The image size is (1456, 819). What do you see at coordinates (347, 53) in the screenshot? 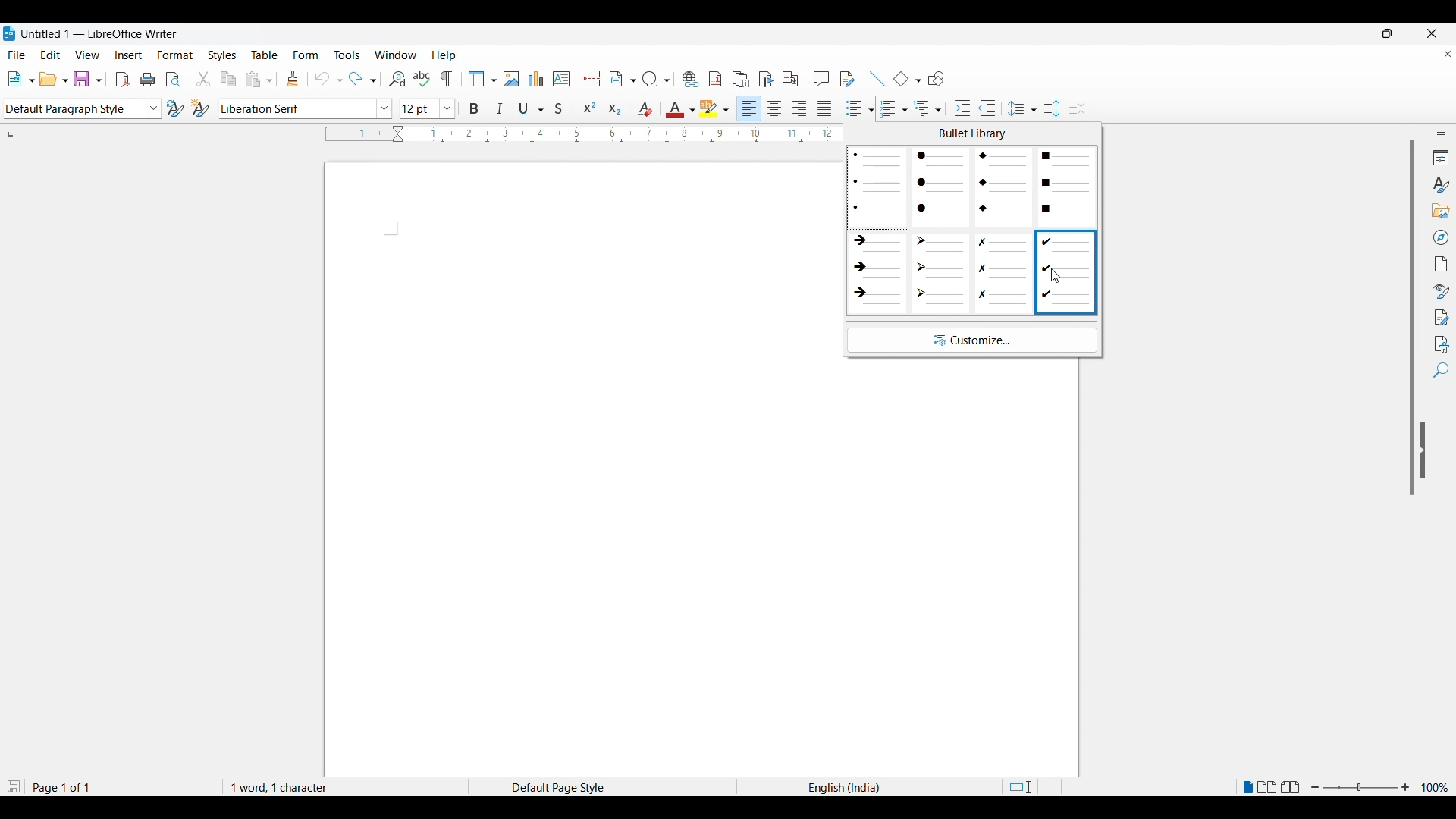
I see `Tools` at bounding box center [347, 53].